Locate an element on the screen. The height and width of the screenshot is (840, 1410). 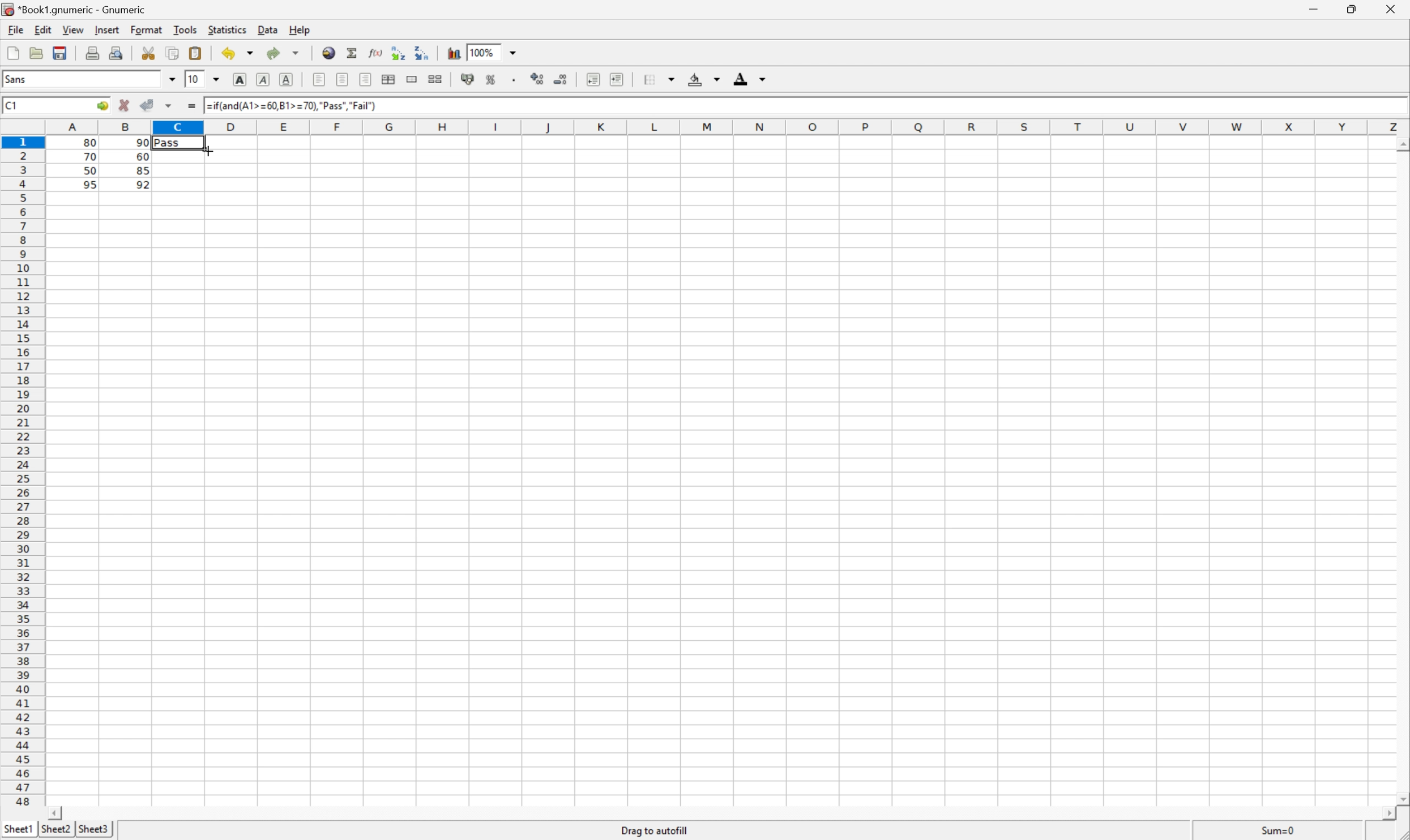
Insert hyperlink is located at coordinates (329, 51).